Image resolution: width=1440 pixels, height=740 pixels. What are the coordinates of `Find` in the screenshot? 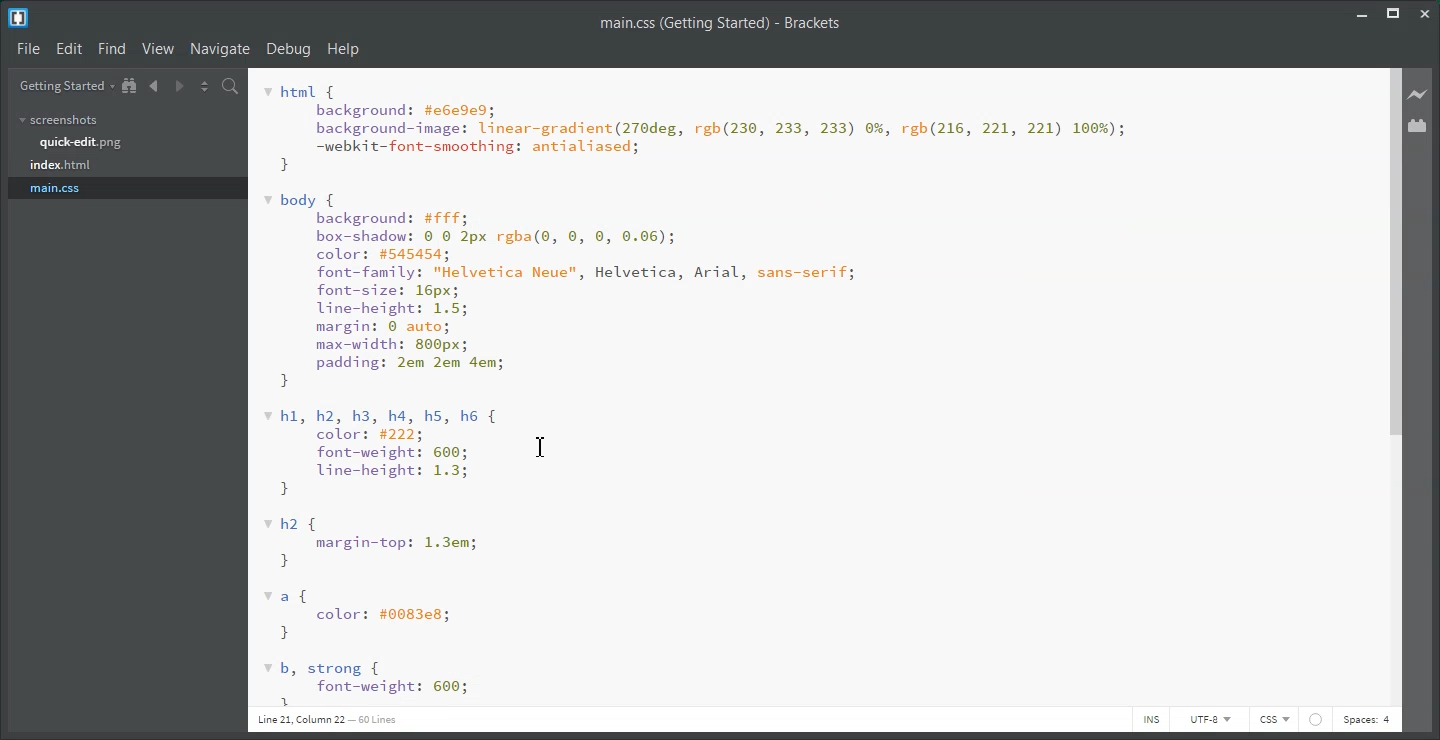 It's located at (113, 49).